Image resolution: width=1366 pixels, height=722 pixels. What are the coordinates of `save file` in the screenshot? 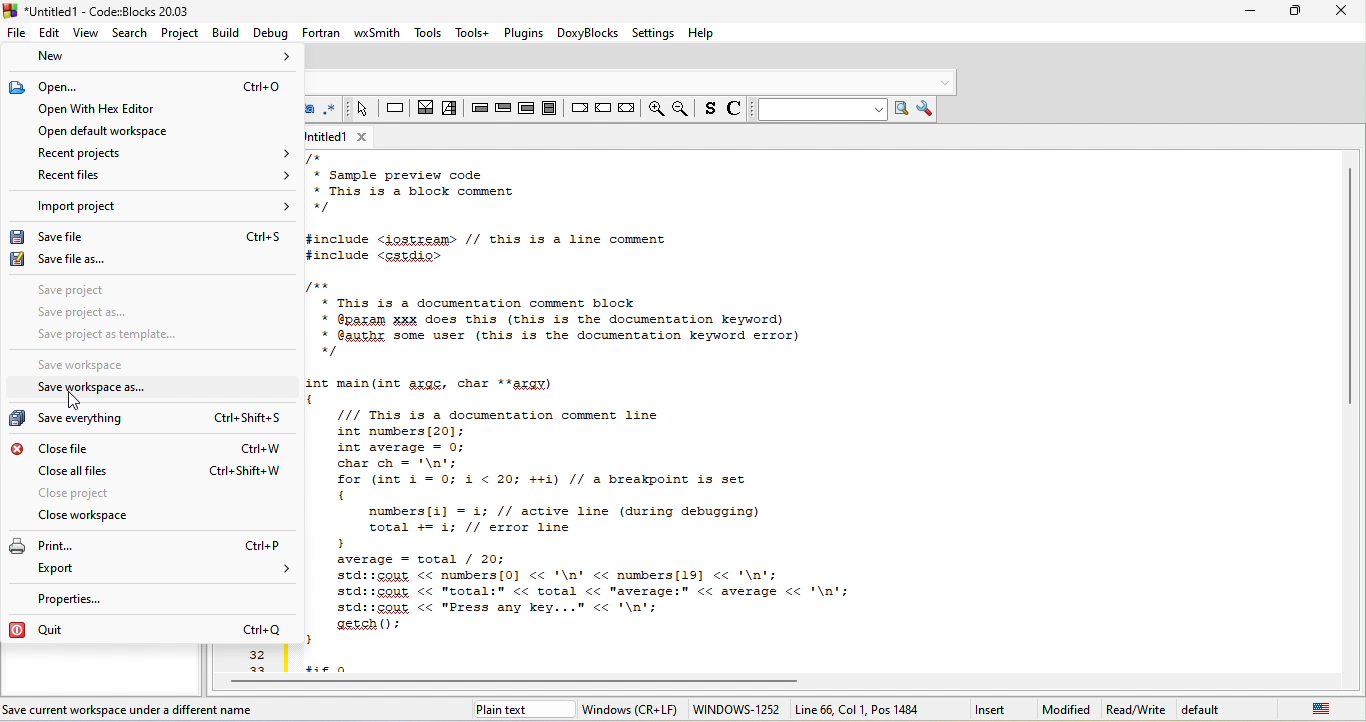 It's located at (150, 238).